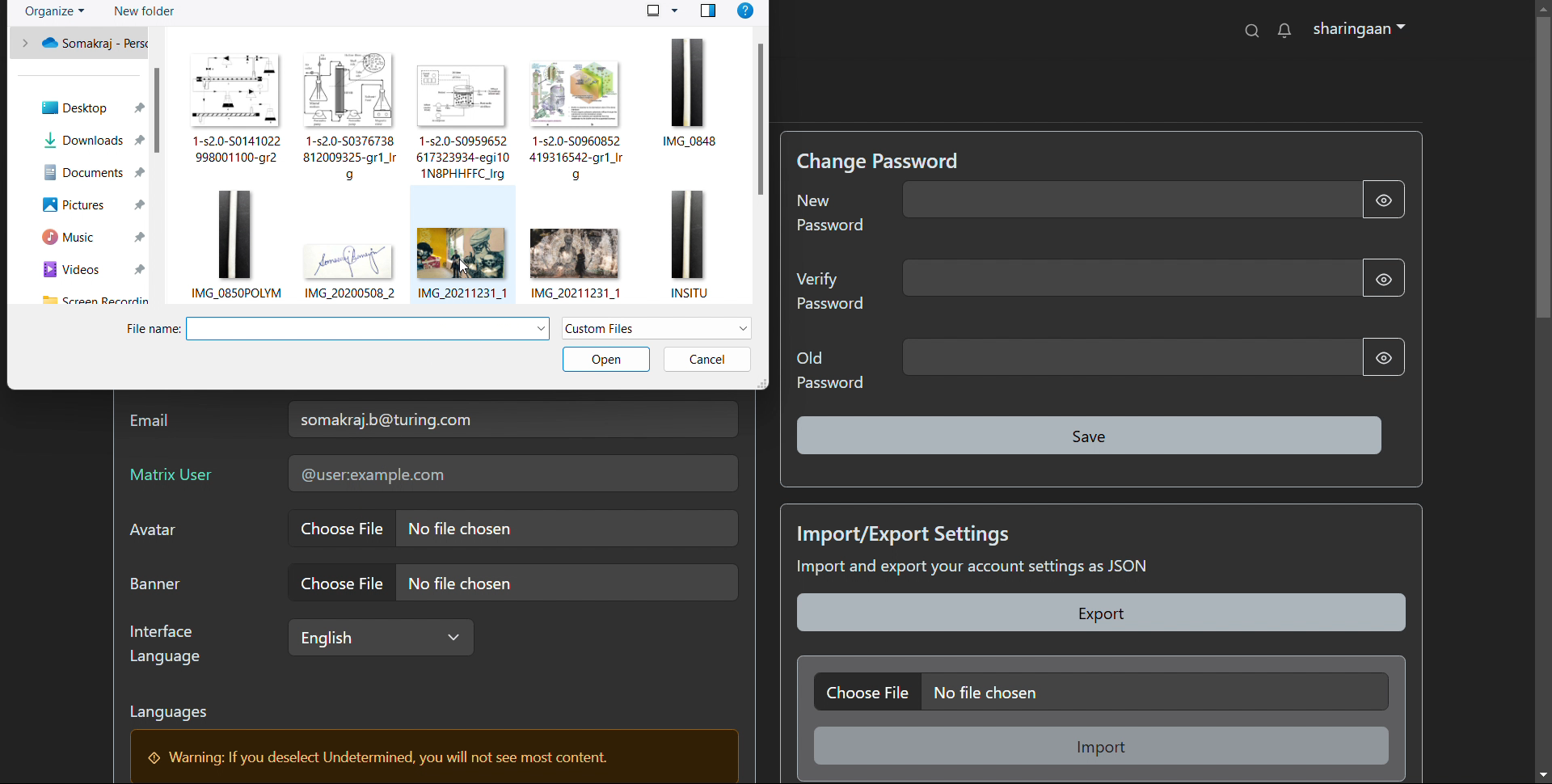 The image size is (1552, 784). I want to click on Change Password, so click(883, 160).